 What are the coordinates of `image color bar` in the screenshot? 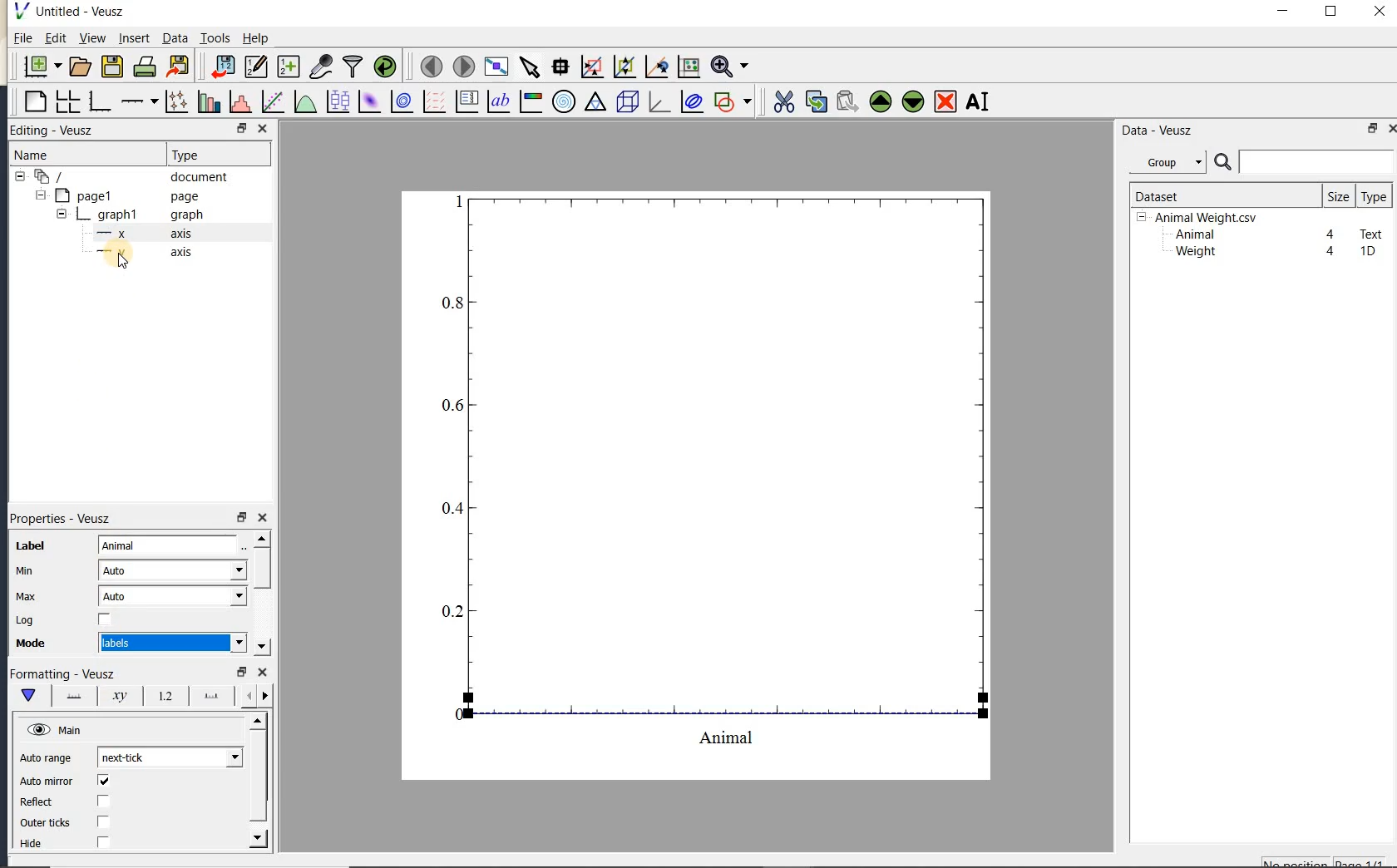 It's located at (531, 101).